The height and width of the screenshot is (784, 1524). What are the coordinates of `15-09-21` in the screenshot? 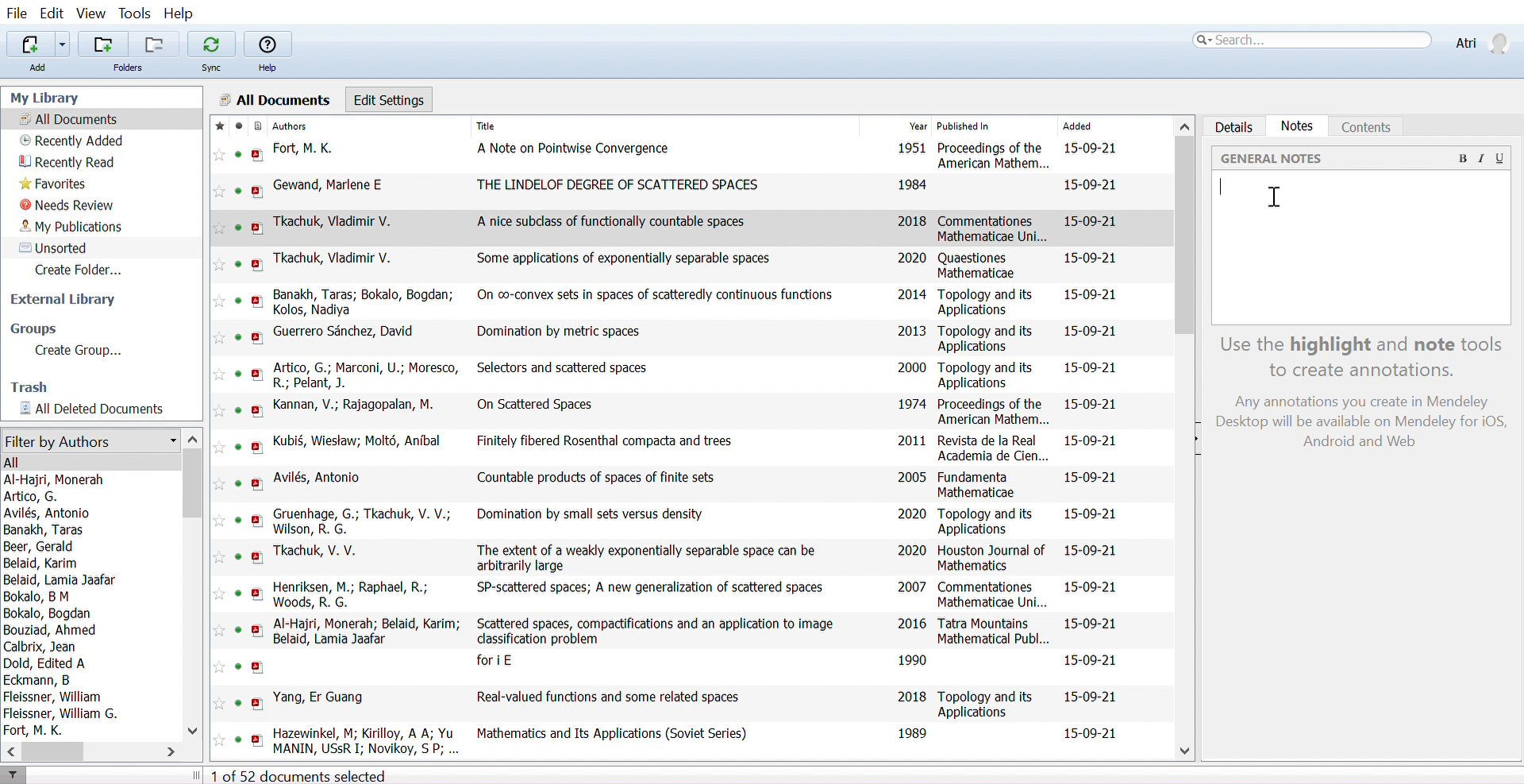 It's located at (1092, 148).